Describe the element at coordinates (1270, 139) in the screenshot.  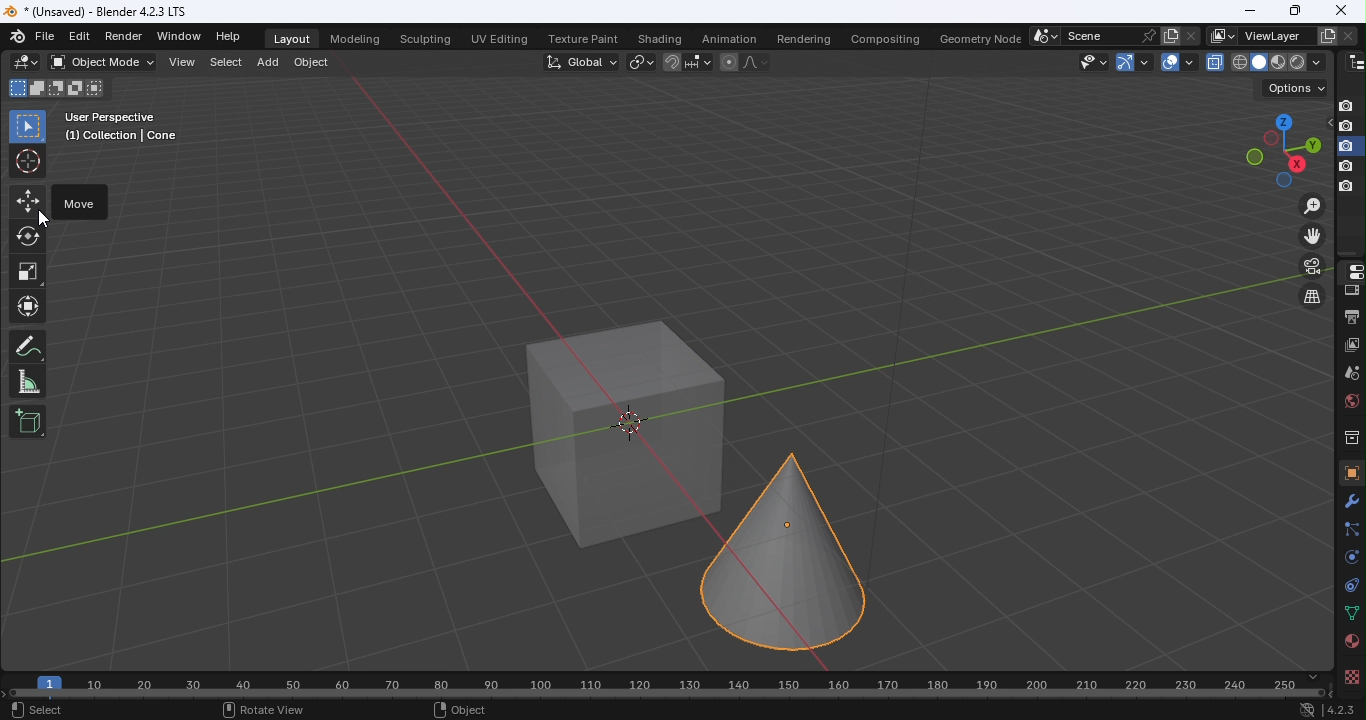
I see `Rotate the view` at that location.